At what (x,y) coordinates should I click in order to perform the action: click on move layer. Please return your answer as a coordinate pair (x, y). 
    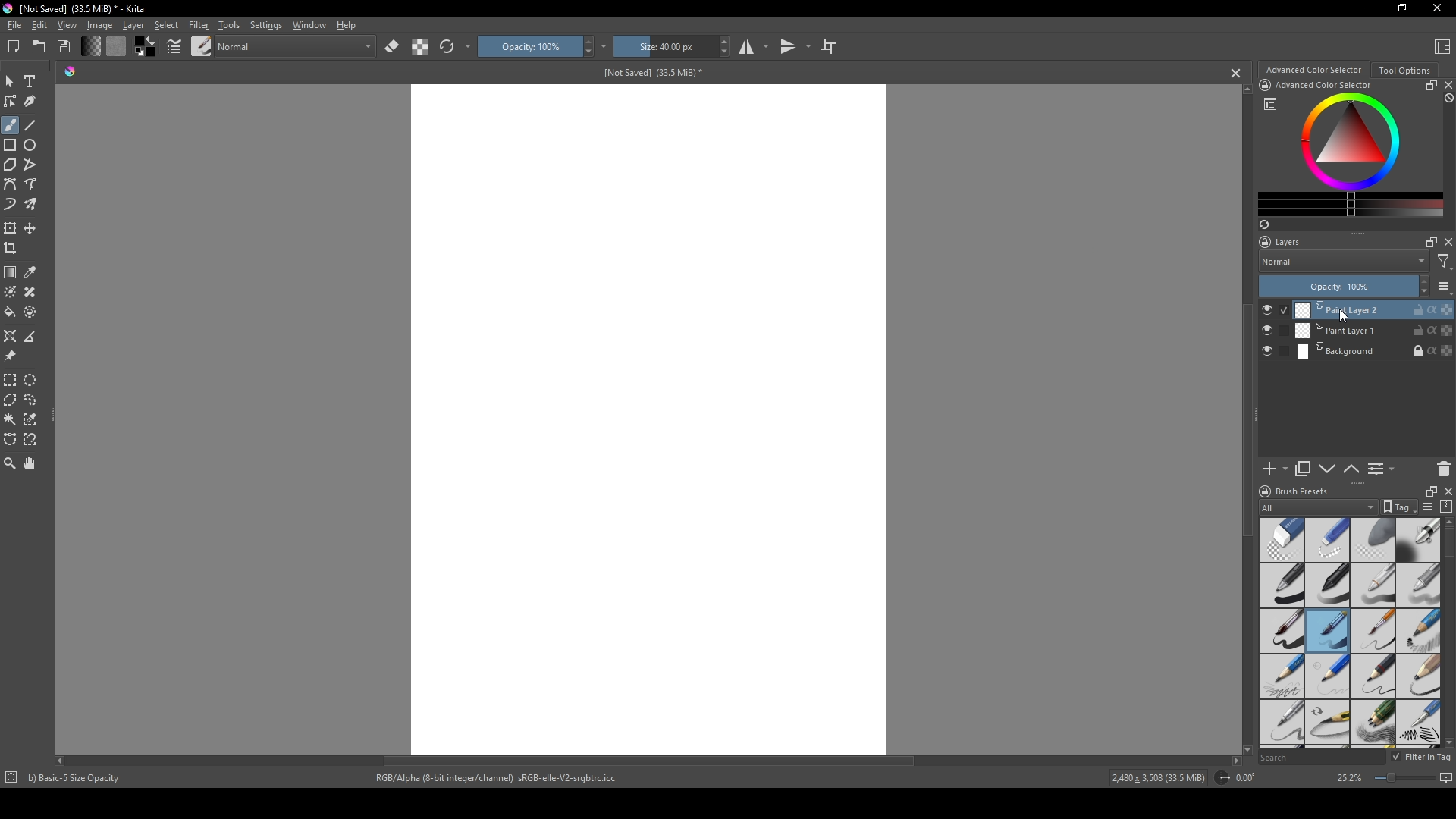
    Looking at the image, I should click on (30, 228).